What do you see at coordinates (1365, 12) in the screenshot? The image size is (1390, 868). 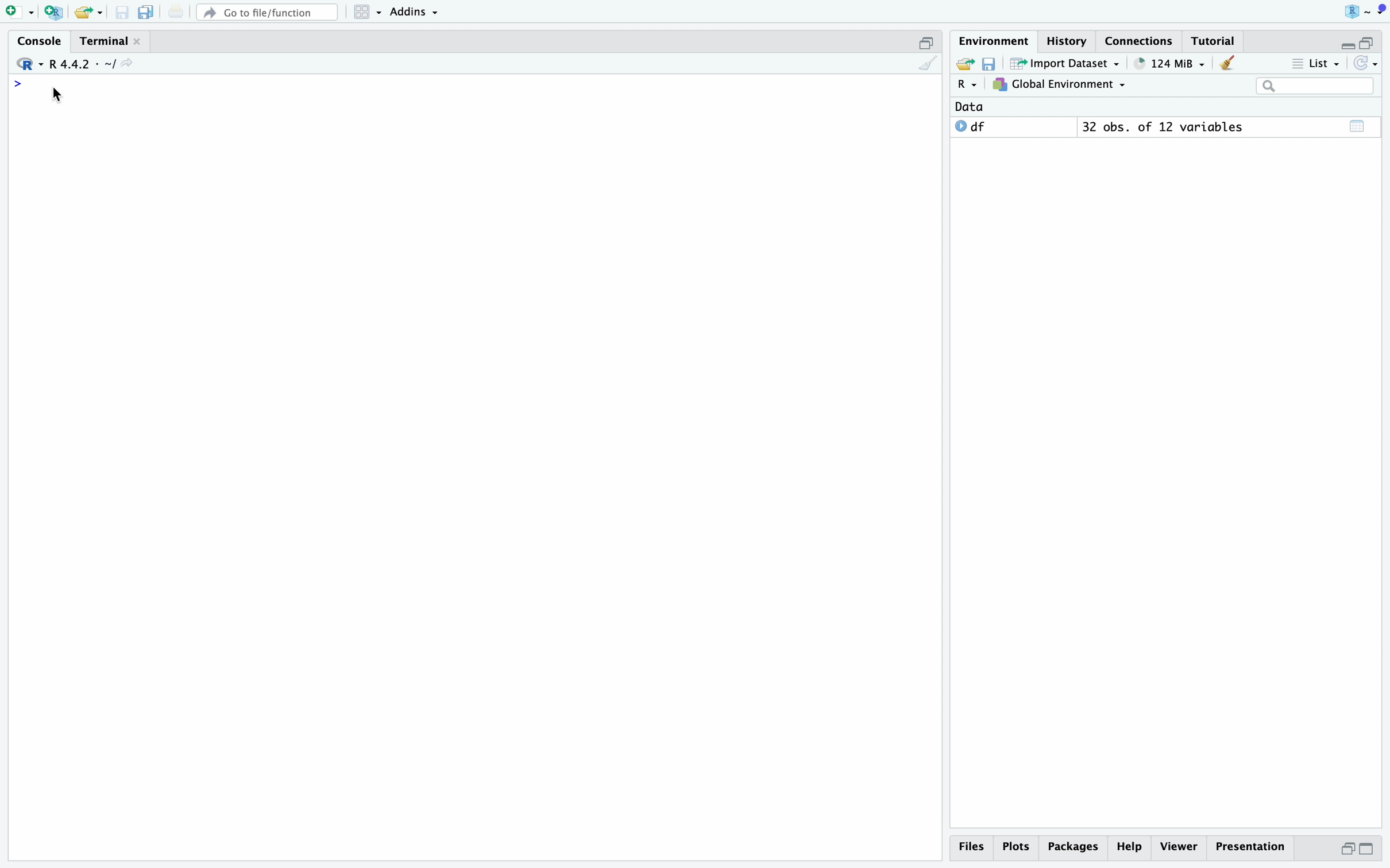 I see `logo` at bounding box center [1365, 12].